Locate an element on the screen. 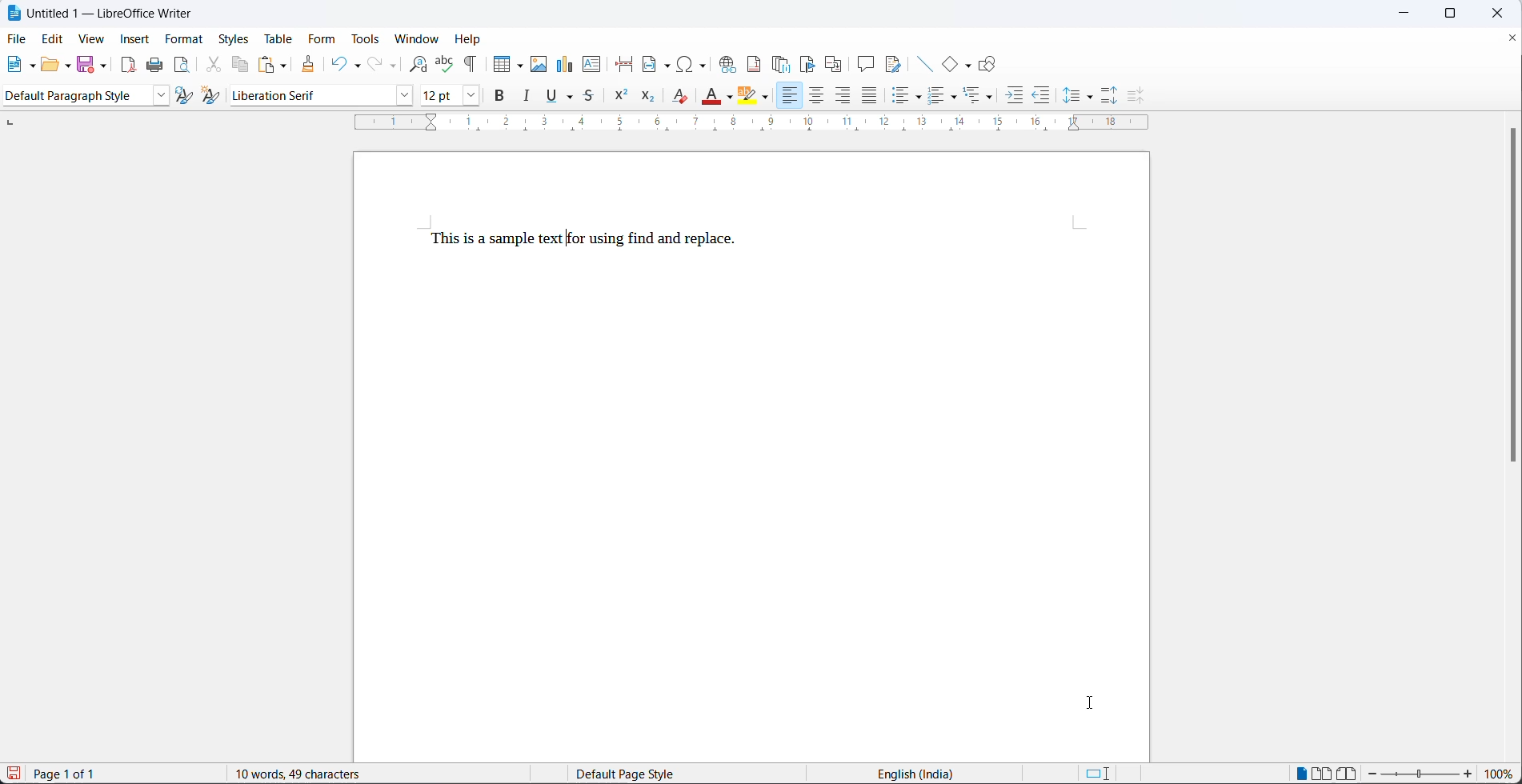 The image size is (1522, 784). view is located at coordinates (91, 40).